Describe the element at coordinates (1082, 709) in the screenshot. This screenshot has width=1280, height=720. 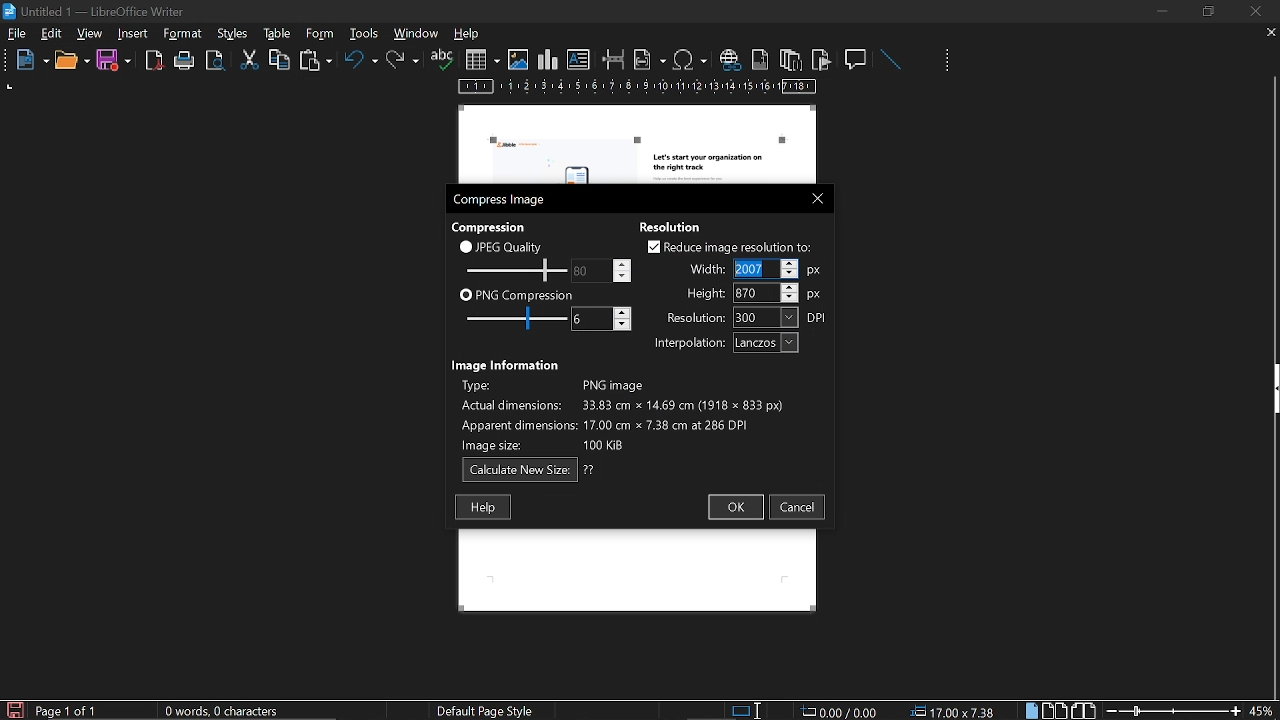
I see `book view` at that location.